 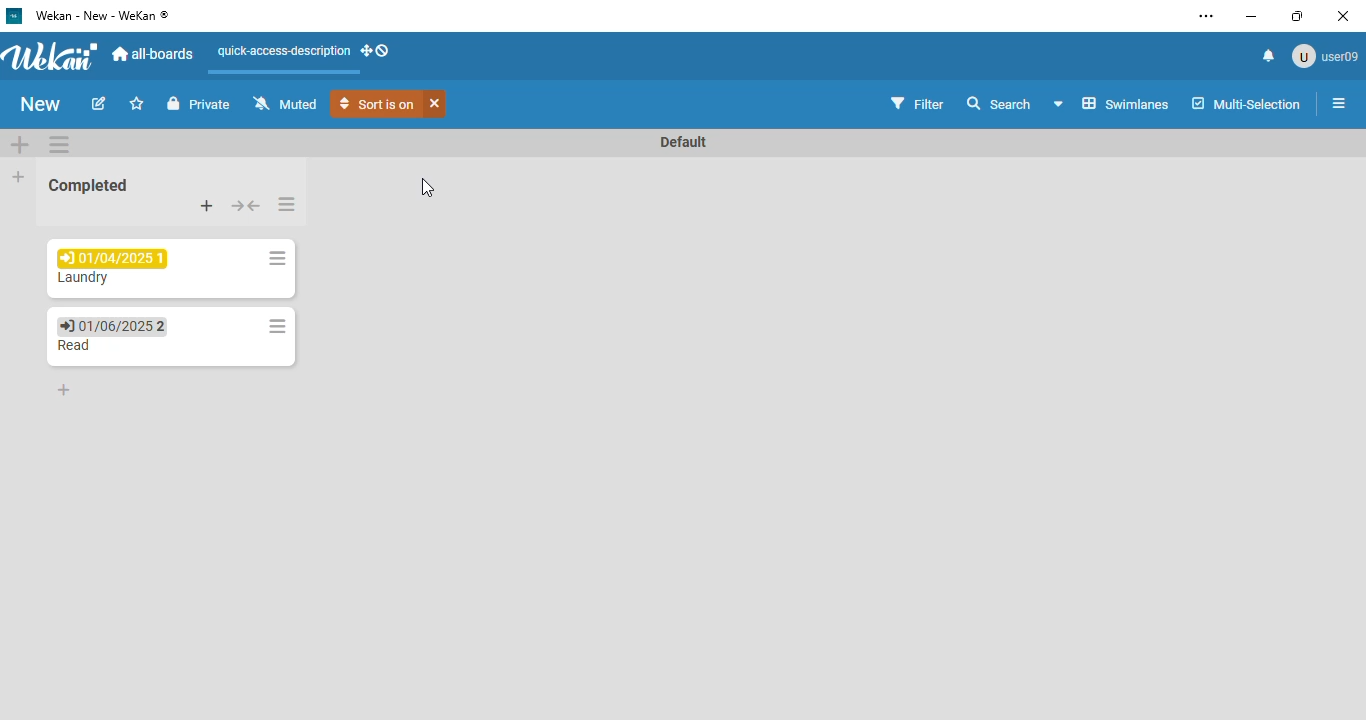 I want to click on wekan, so click(x=52, y=54).